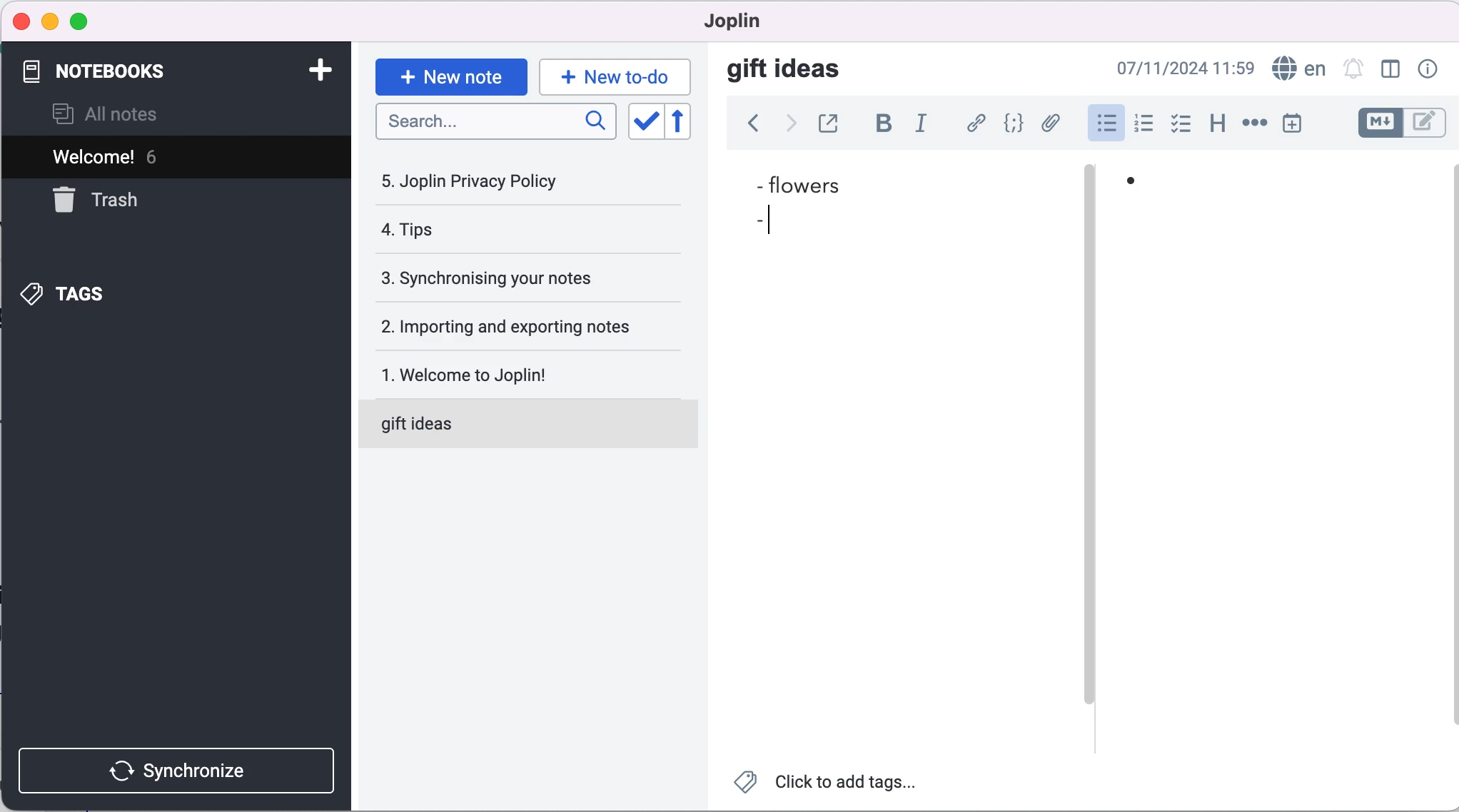  Describe the element at coordinates (519, 374) in the screenshot. I see `welcome to joplin!` at that location.